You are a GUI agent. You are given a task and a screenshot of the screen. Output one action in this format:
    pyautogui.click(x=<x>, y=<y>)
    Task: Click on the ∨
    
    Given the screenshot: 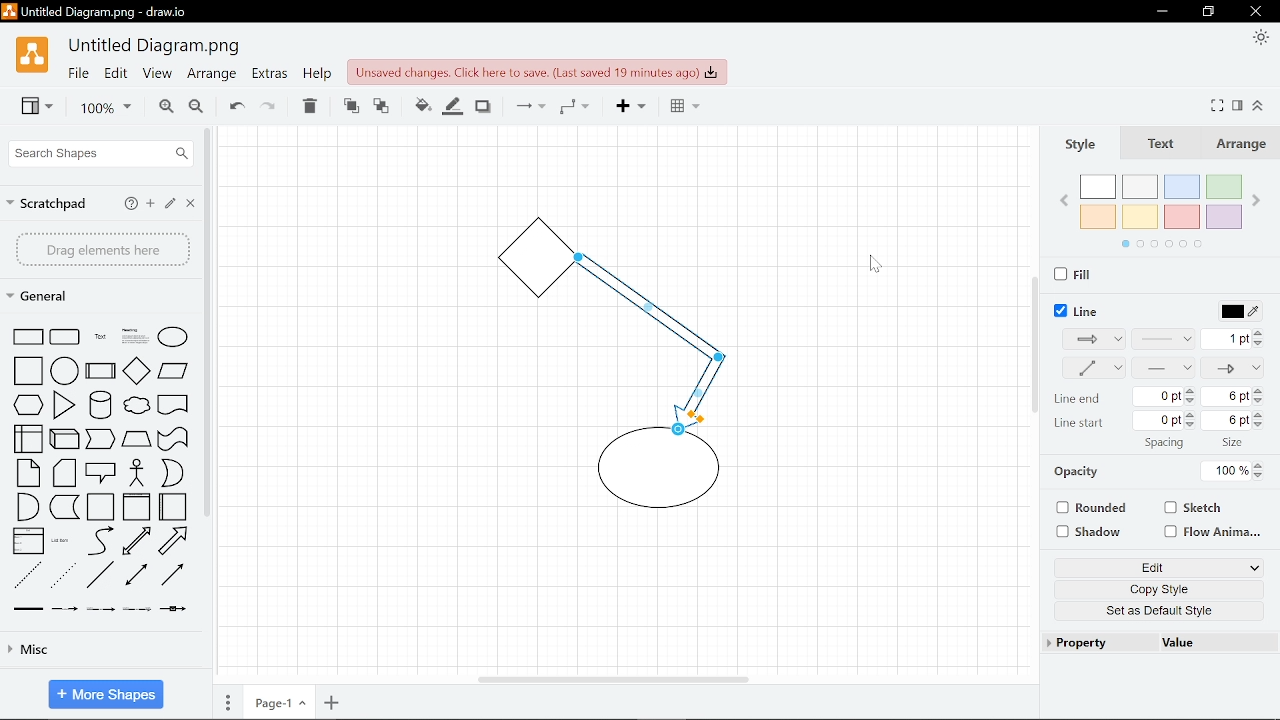 What is the action you would take?
    pyautogui.click(x=1255, y=567)
    